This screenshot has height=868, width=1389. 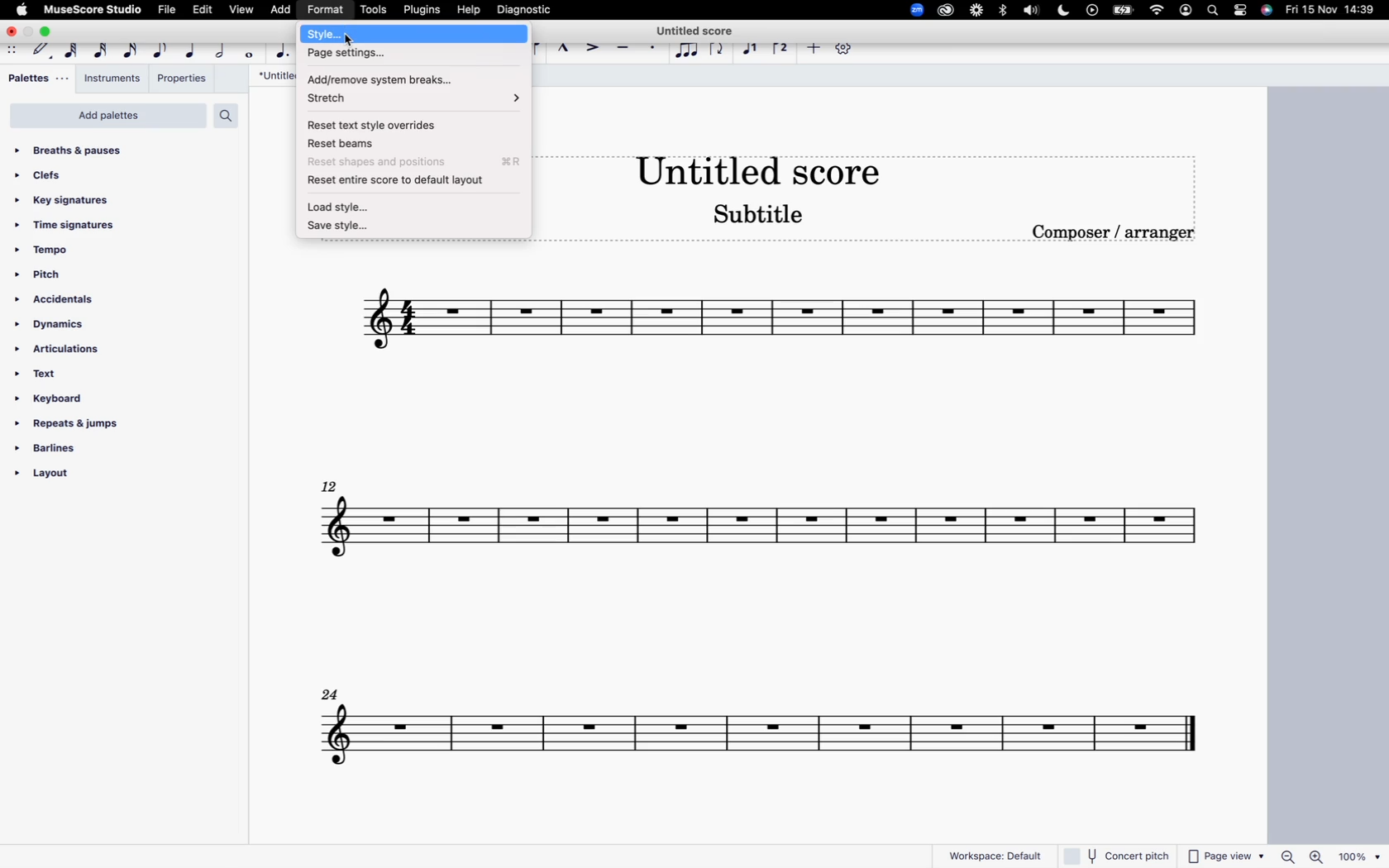 What do you see at coordinates (1119, 855) in the screenshot?
I see `` at bounding box center [1119, 855].